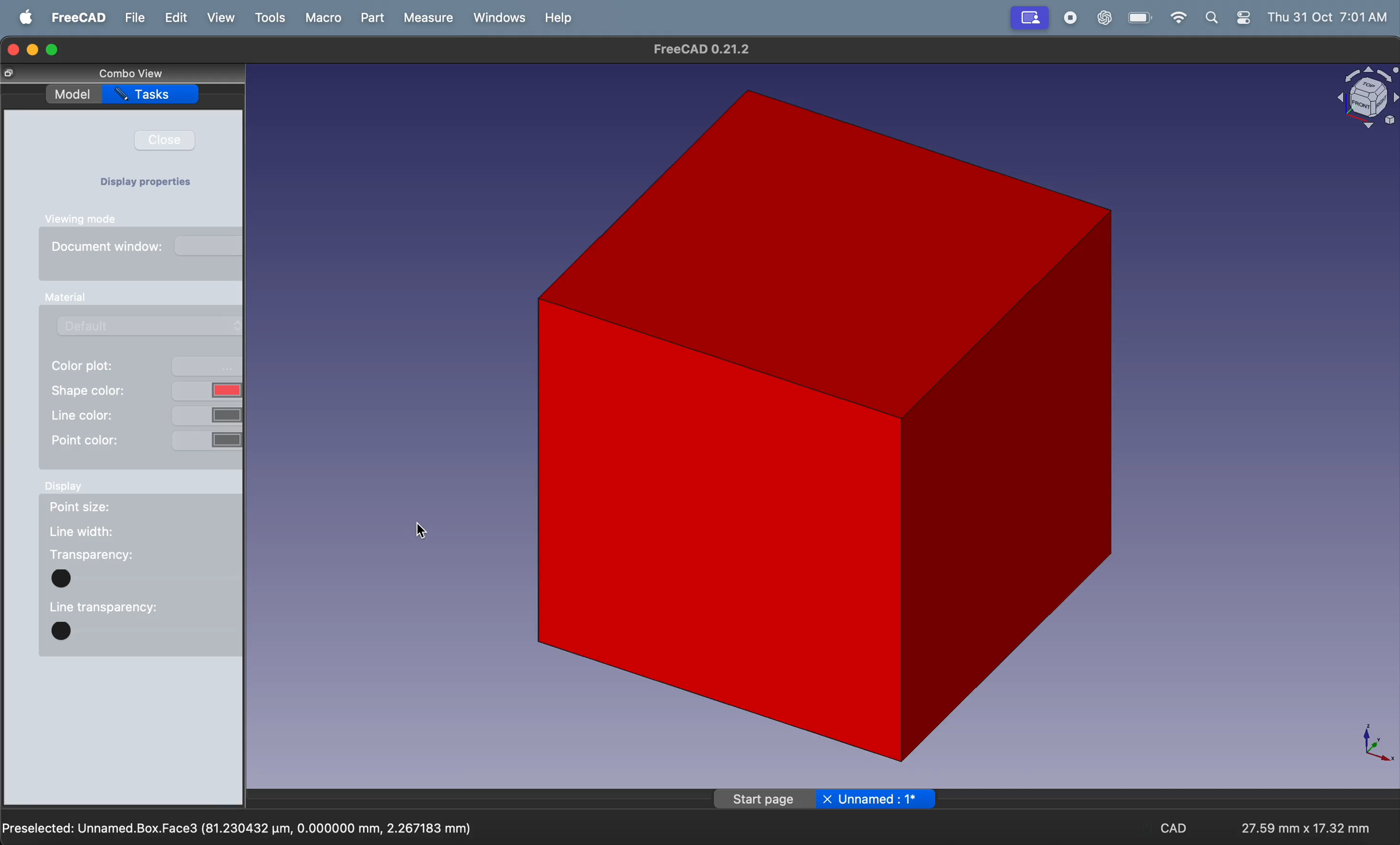  Describe the element at coordinates (1330, 18) in the screenshot. I see `Thu 31 oct 7.01 Am` at that location.